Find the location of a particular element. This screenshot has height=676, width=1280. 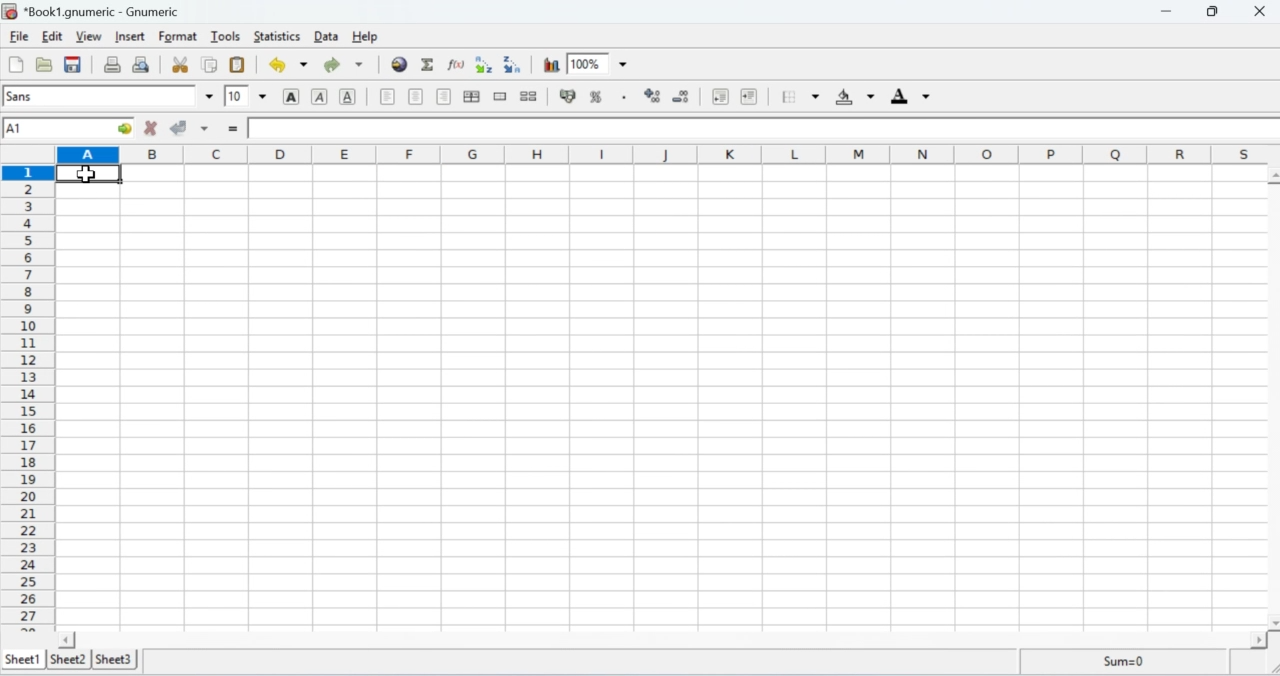

Formula bar is located at coordinates (756, 129).